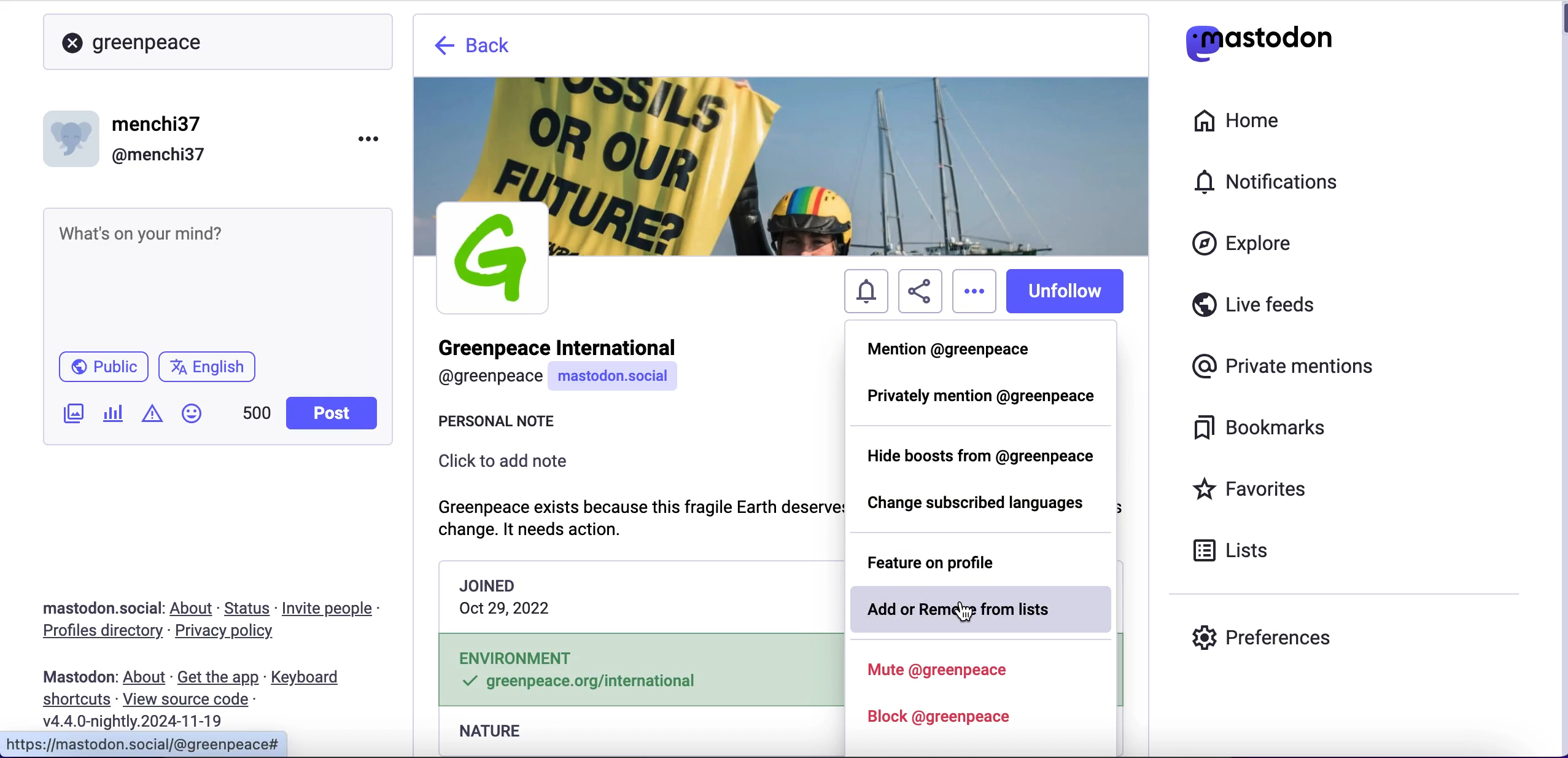  What do you see at coordinates (475, 49) in the screenshot?
I see `back` at bounding box center [475, 49].